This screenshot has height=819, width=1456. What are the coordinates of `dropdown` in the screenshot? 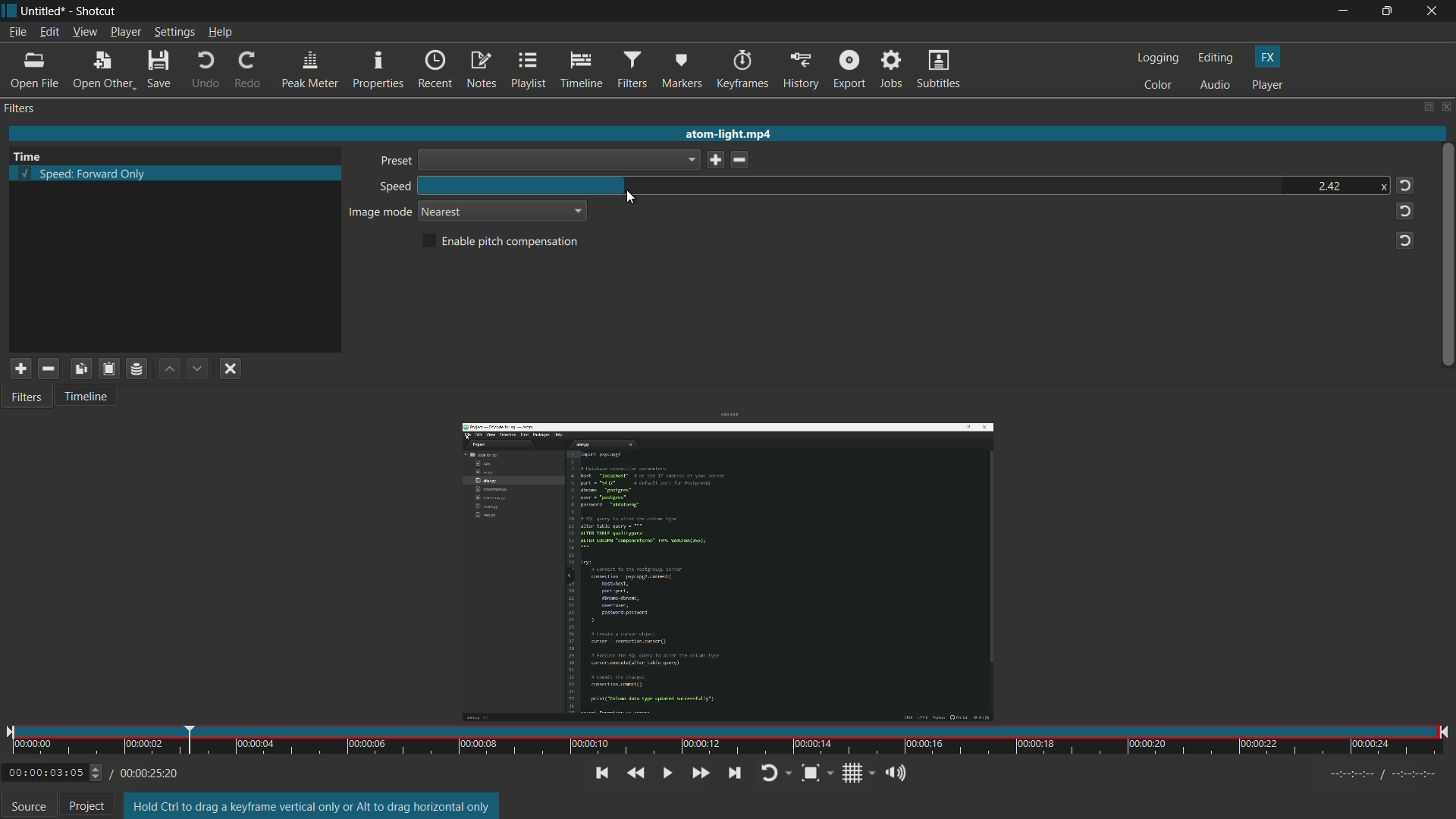 It's located at (576, 211).